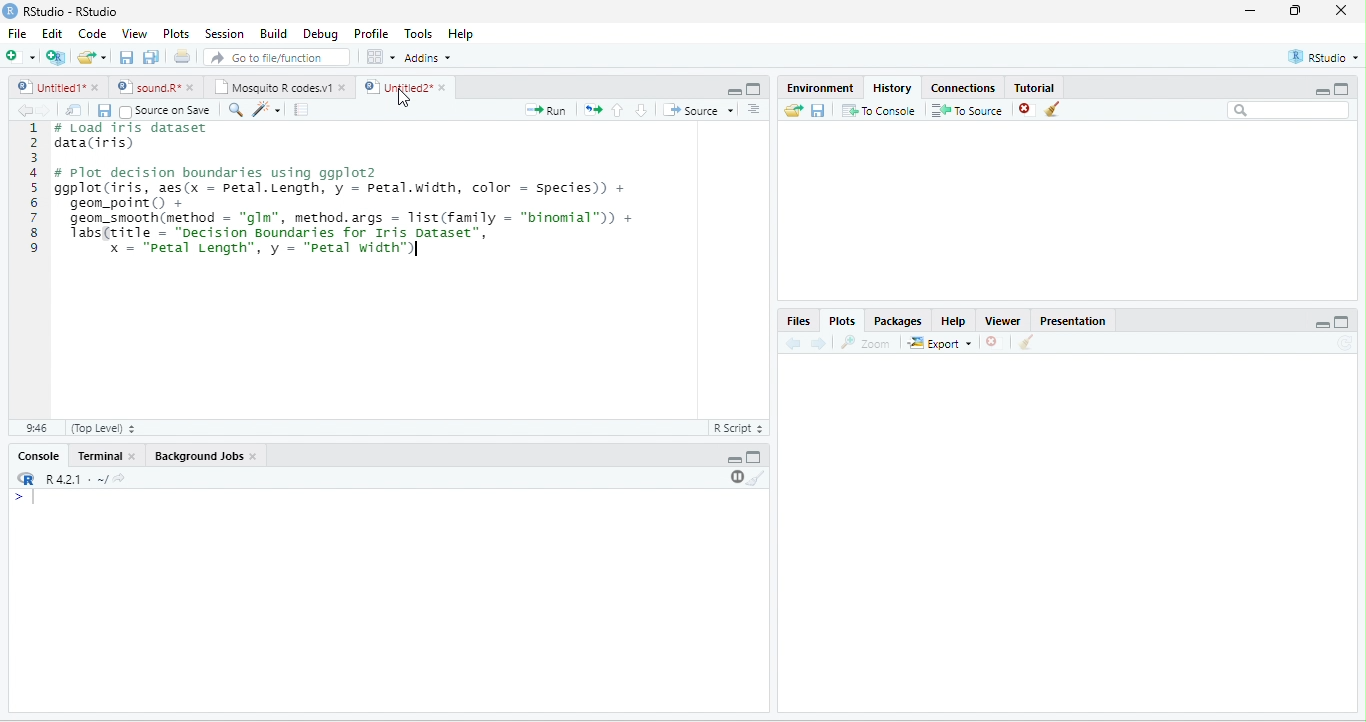 The image size is (1366, 722). What do you see at coordinates (641, 110) in the screenshot?
I see `down` at bounding box center [641, 110].